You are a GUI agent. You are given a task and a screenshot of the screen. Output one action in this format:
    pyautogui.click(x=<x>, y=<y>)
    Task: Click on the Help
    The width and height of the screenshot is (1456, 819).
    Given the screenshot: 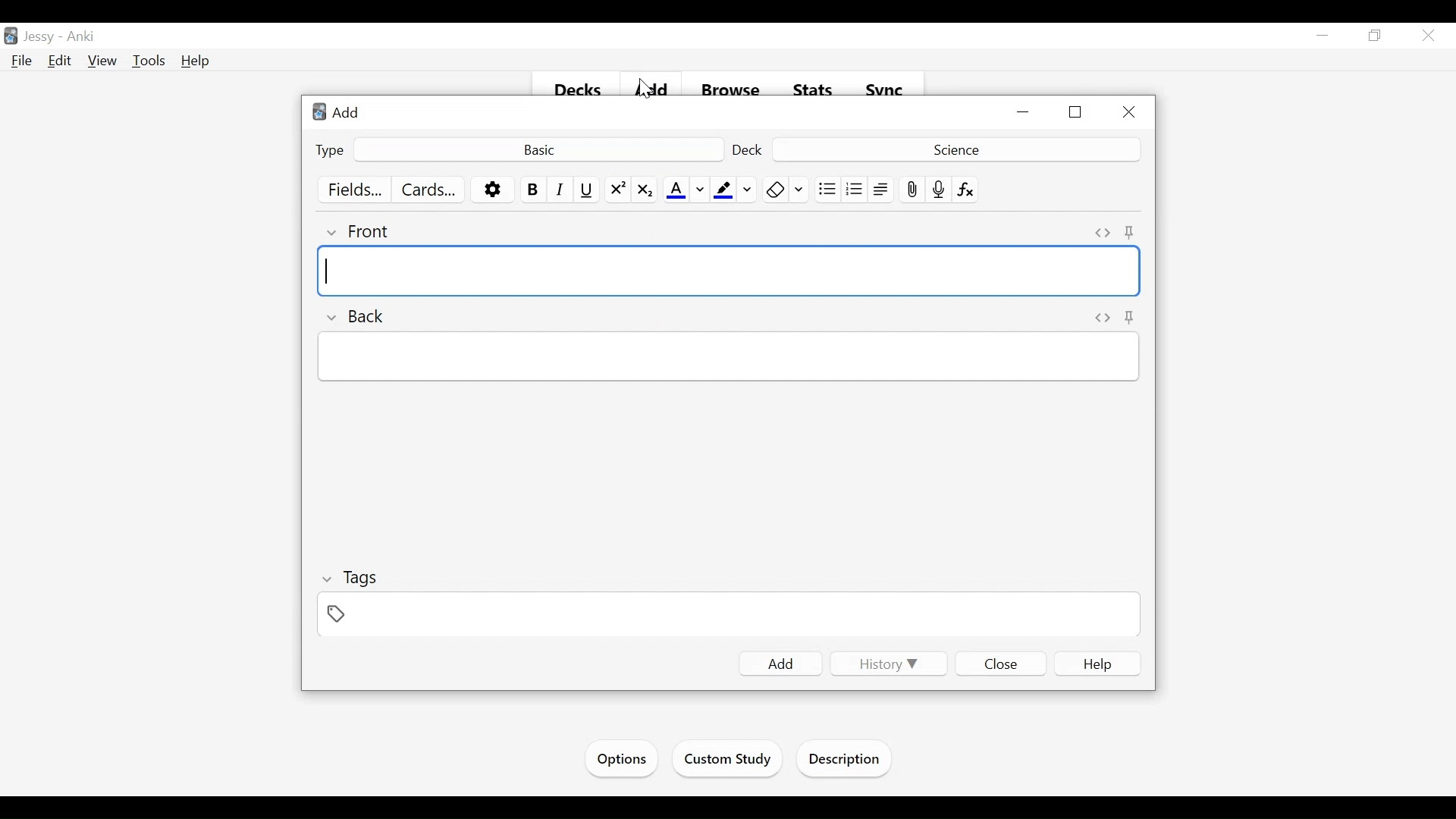 What is the action you would take?
    pyautogui.click(x=196, y=61)
    